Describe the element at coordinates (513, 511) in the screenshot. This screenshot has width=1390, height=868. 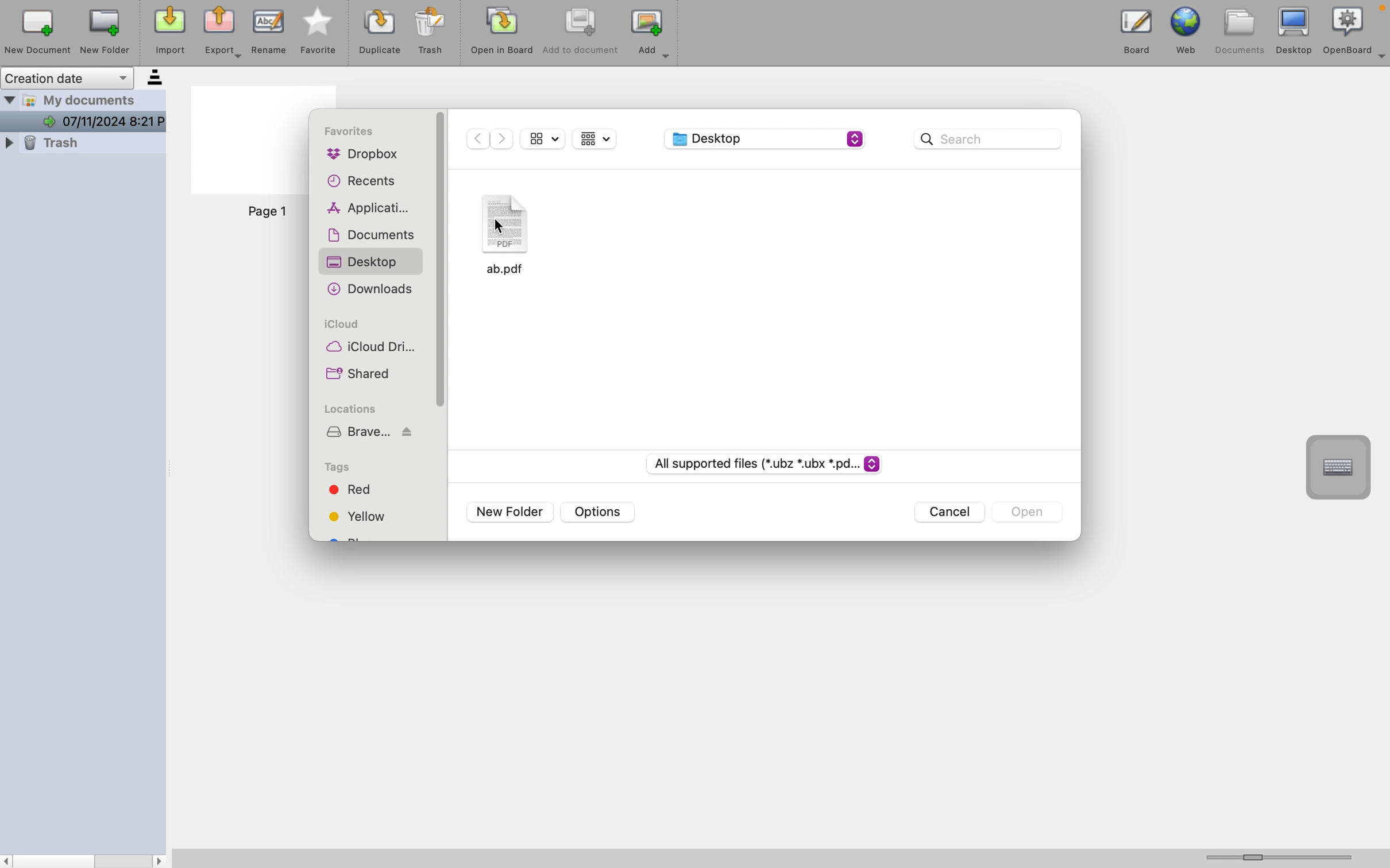
I see `new folder` at that location.